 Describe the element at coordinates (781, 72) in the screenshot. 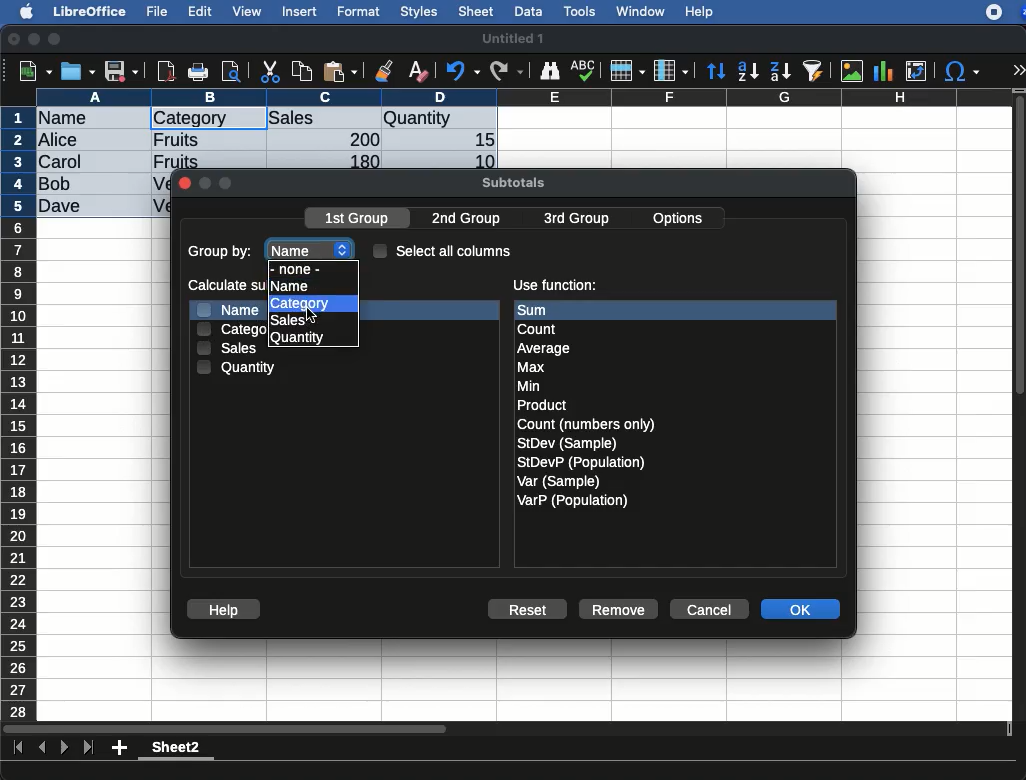

I see `descending` at that location.